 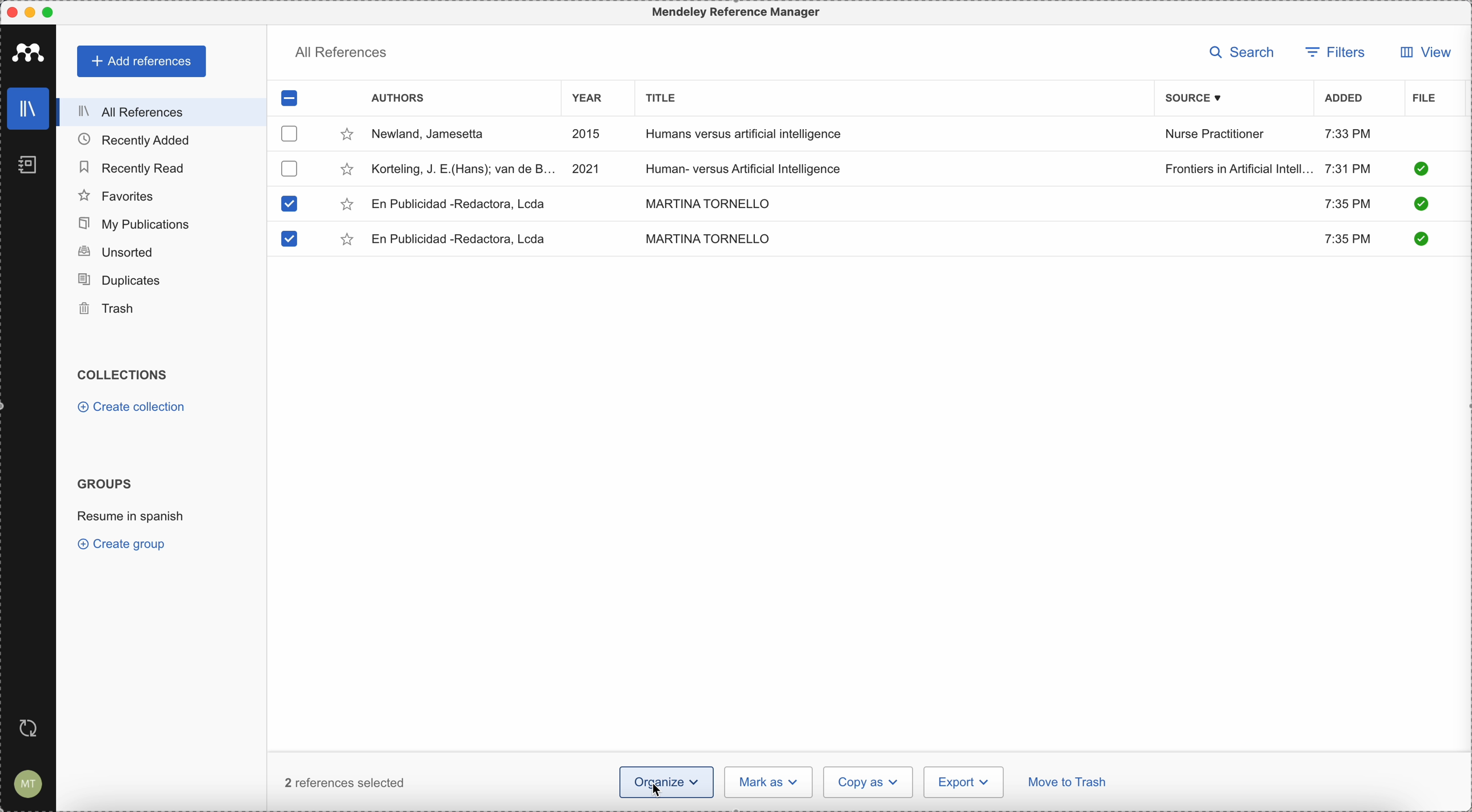 I want to click on account settings, so click(x=26, y=785).